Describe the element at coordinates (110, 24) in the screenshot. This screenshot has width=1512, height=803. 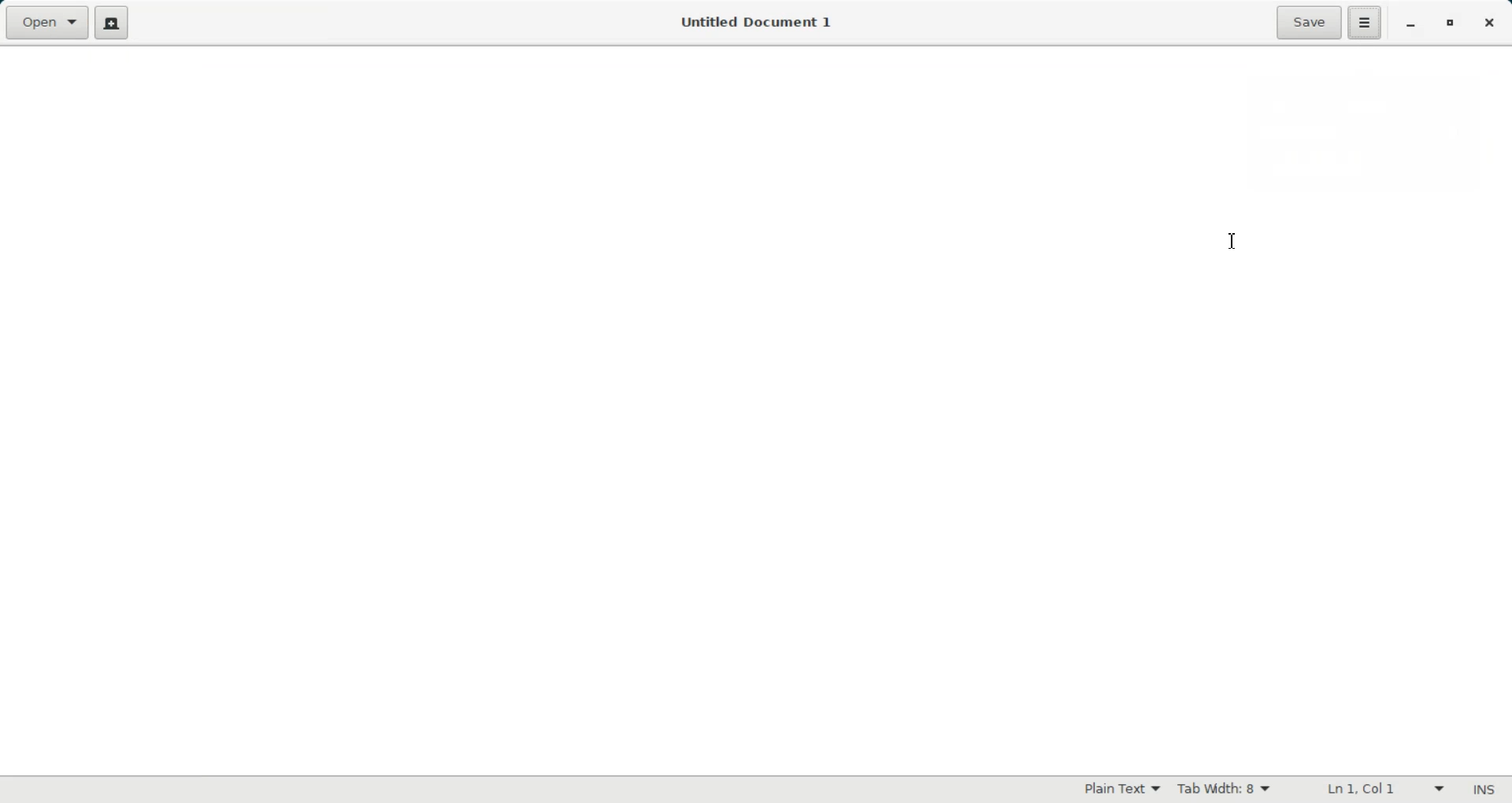
I see `Create a new document` at that location.